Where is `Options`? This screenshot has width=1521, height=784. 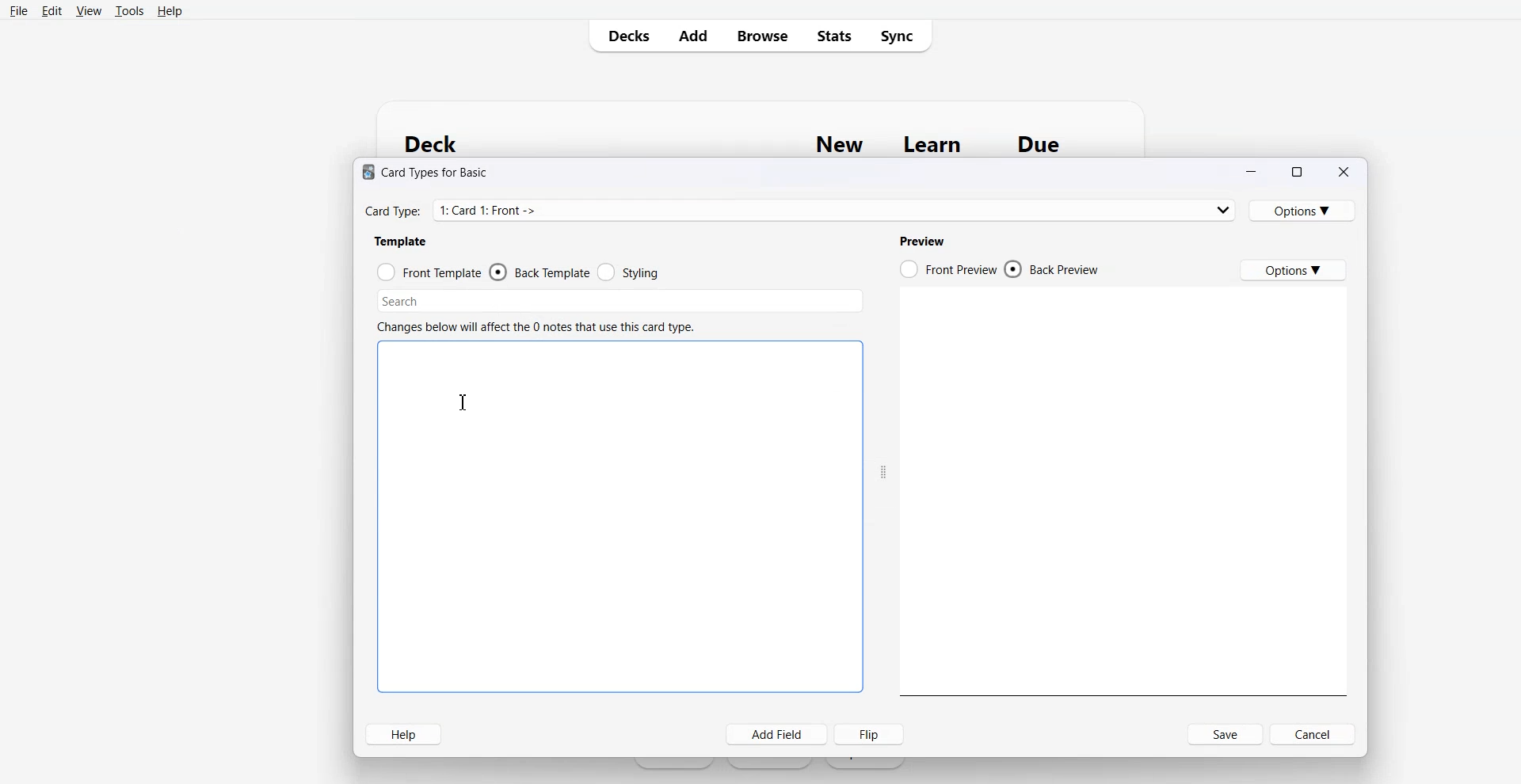 Options is located at coordinates (1302, 211).